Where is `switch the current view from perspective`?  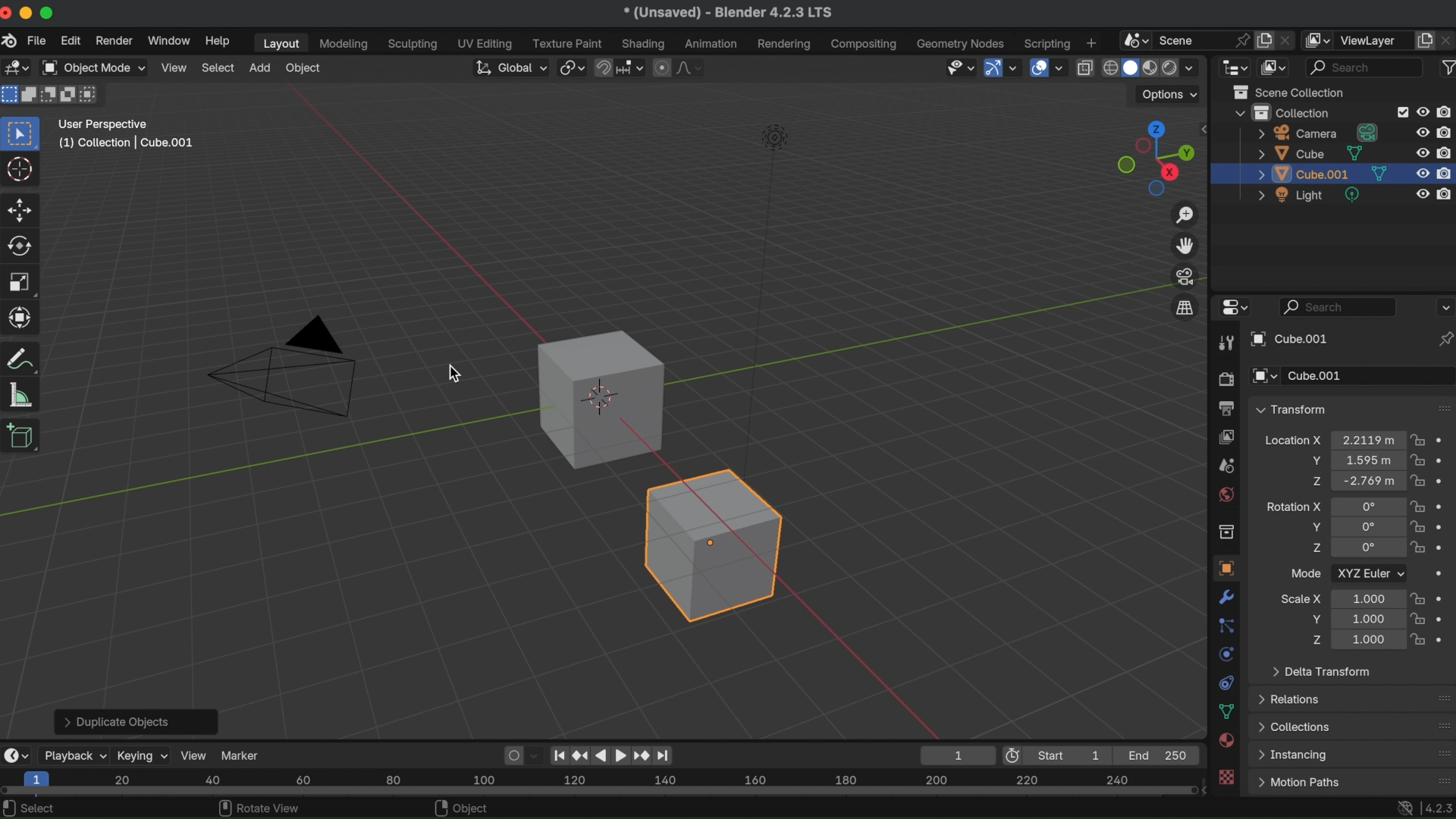 switch the current view from perspective is located at coordinates (1184, 307).